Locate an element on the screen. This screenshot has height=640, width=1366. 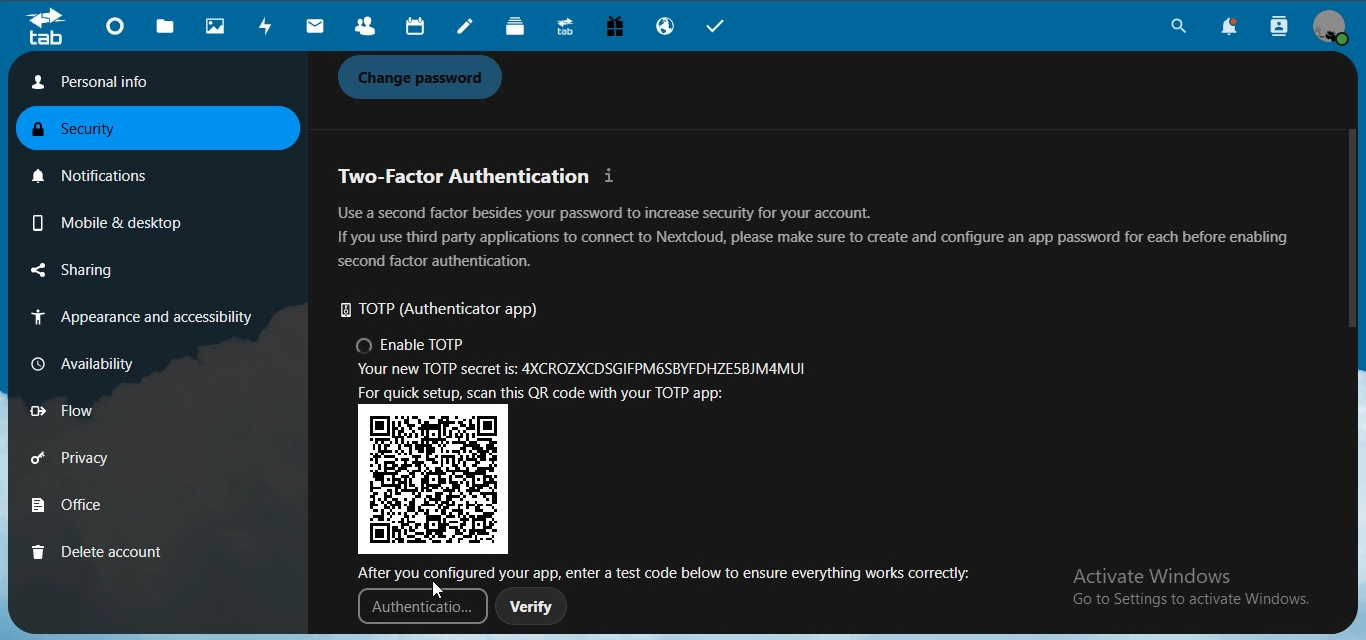
files is located at coordinates (167, 27).